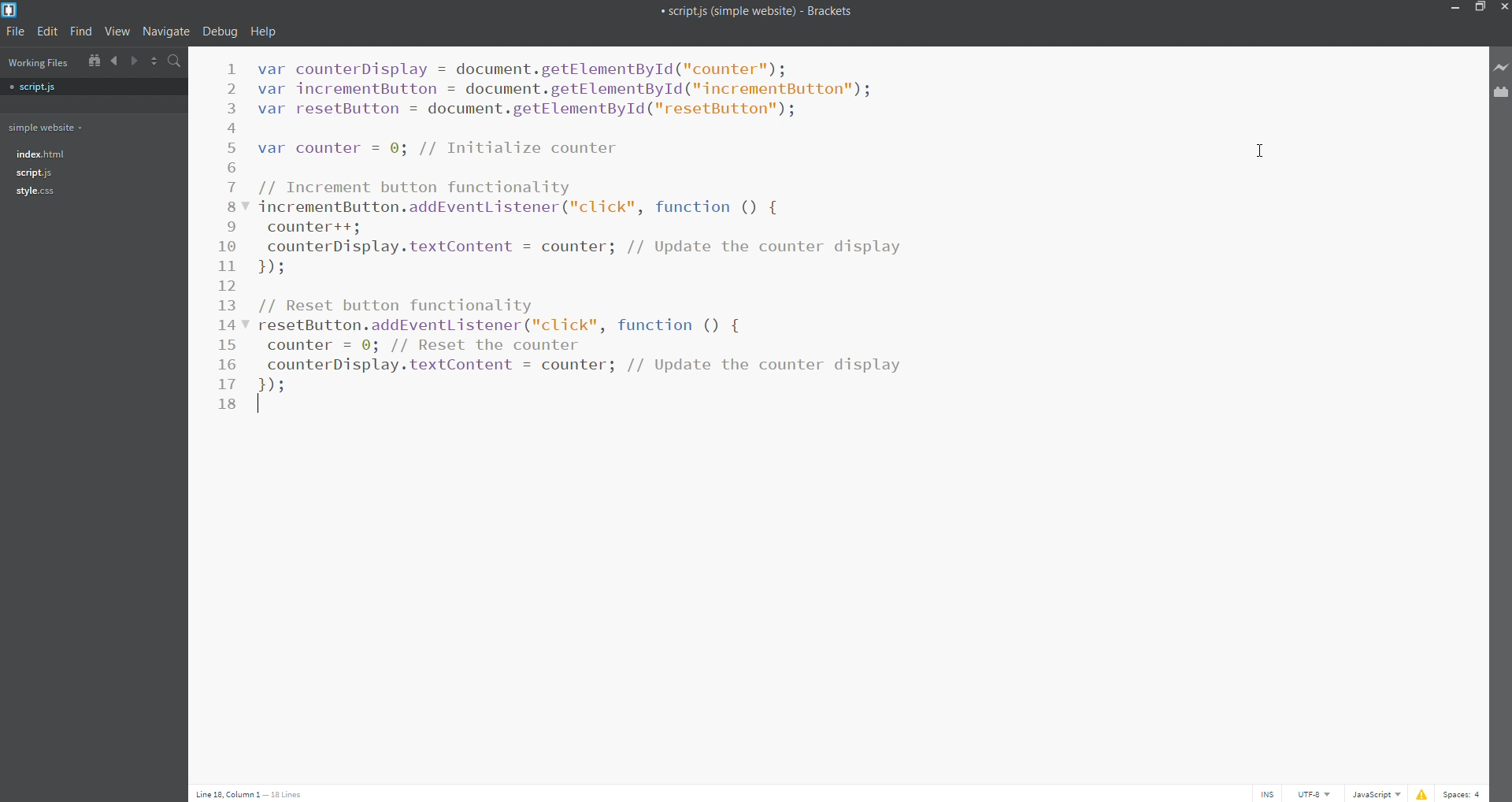  I want to click on minimize, so click(1458, 7).